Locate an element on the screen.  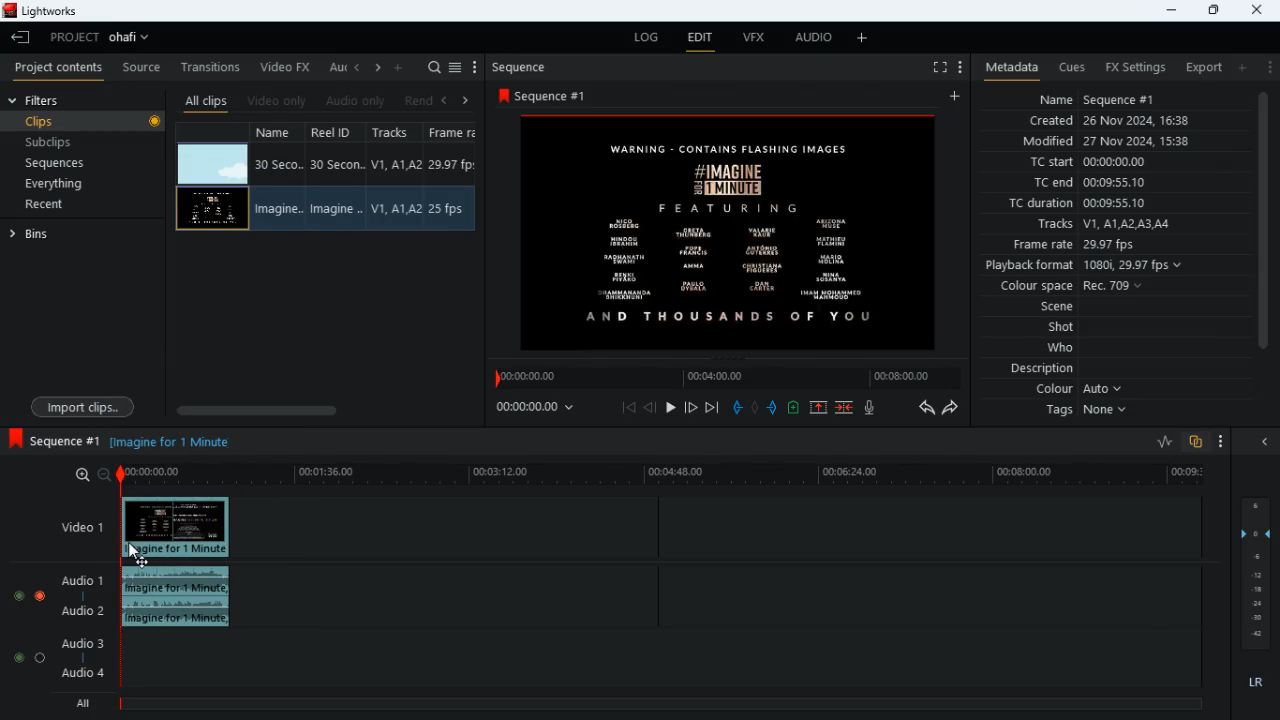
modified is located at coordinates (1113, 141).